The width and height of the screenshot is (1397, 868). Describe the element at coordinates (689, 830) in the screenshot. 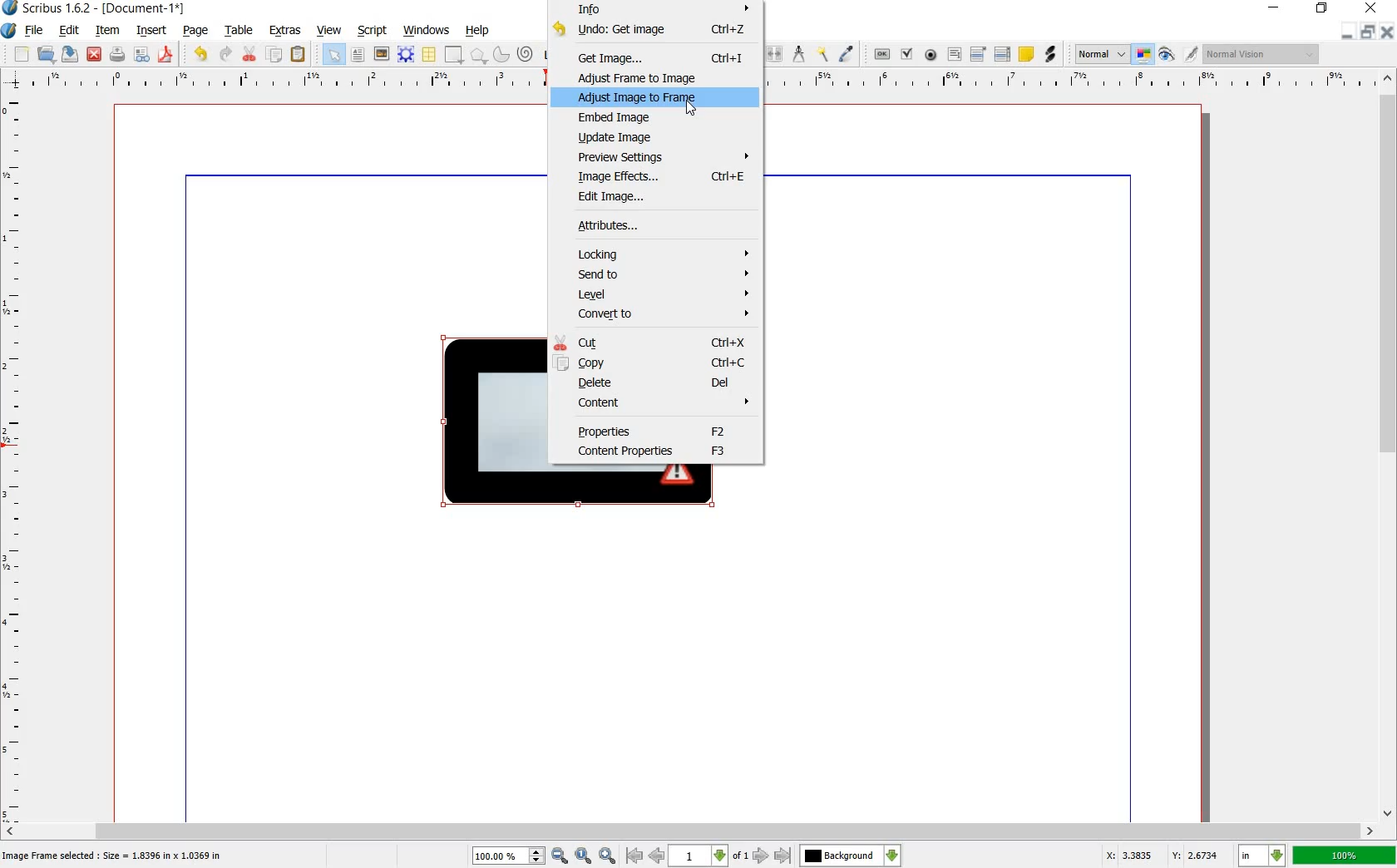

I see `scrollbar` at that location.